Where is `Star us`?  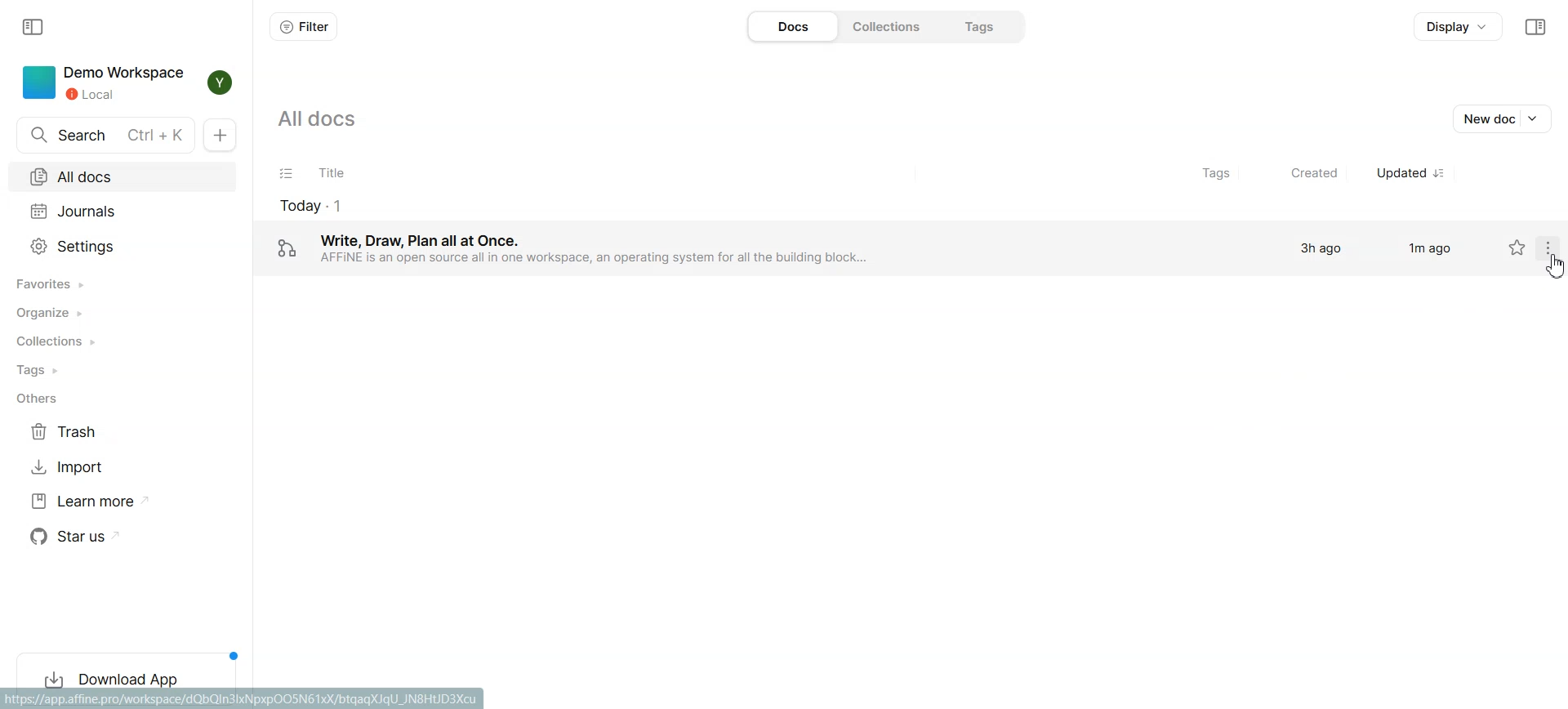
Star us is located at coordinates (109, 537).